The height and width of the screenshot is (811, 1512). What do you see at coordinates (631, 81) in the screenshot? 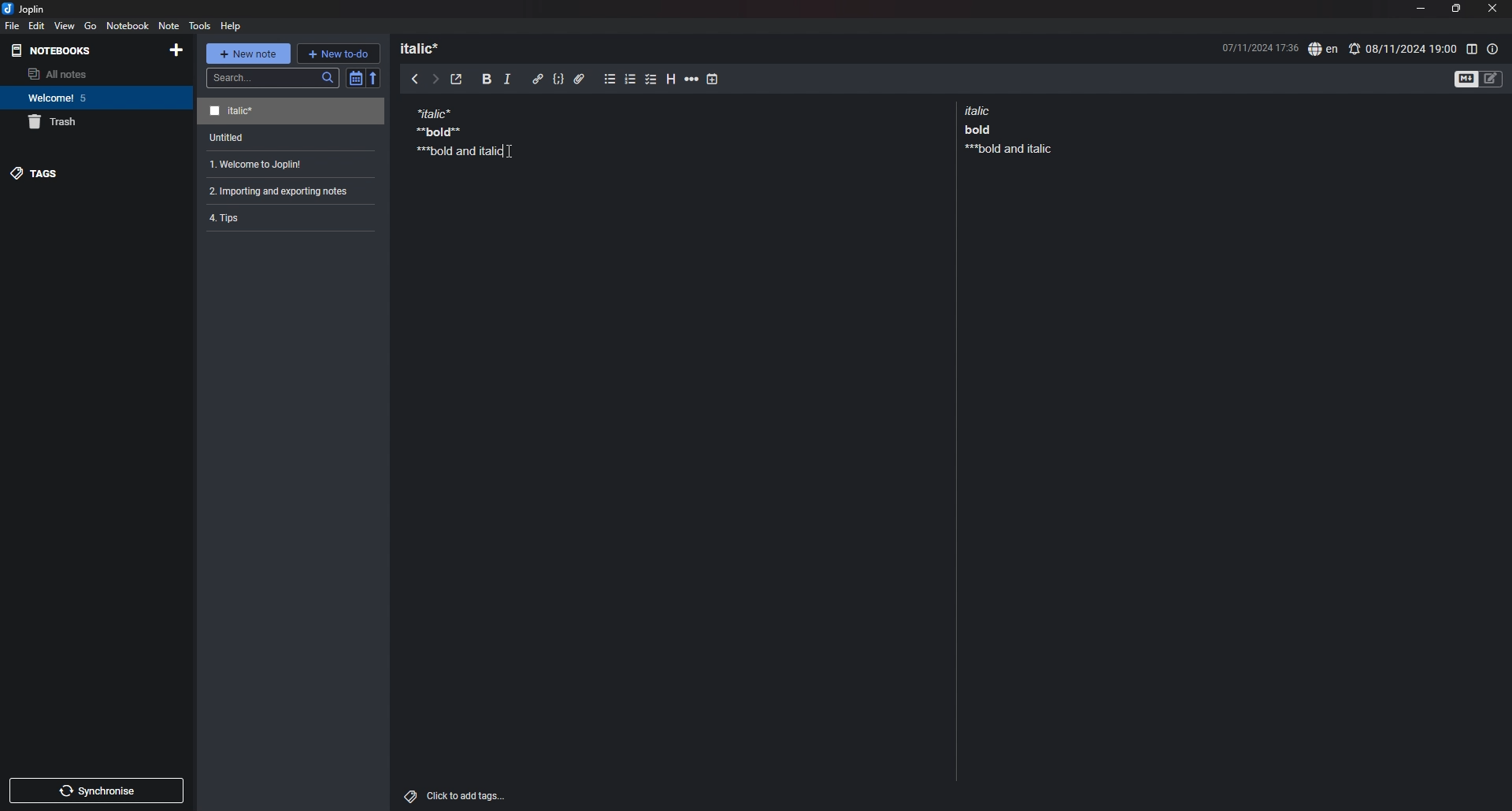
I see `numbered list` at bounding box center [631, 81].